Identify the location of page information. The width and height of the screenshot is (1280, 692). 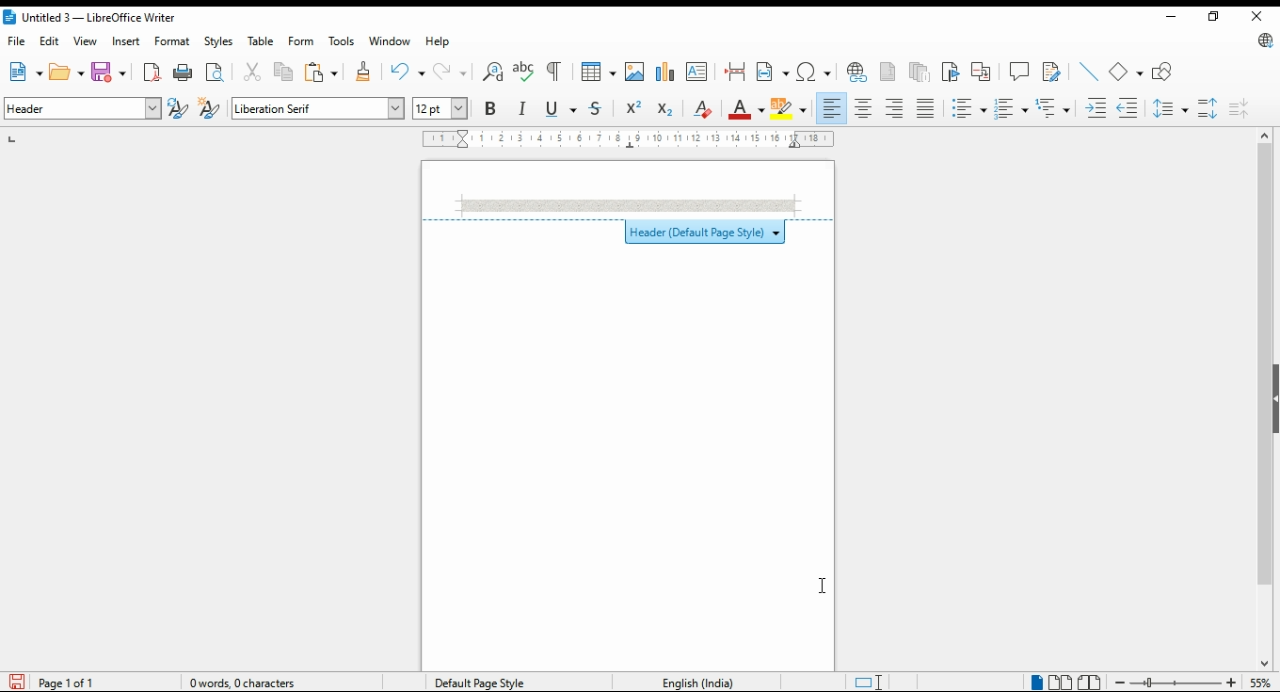
(62, 682).